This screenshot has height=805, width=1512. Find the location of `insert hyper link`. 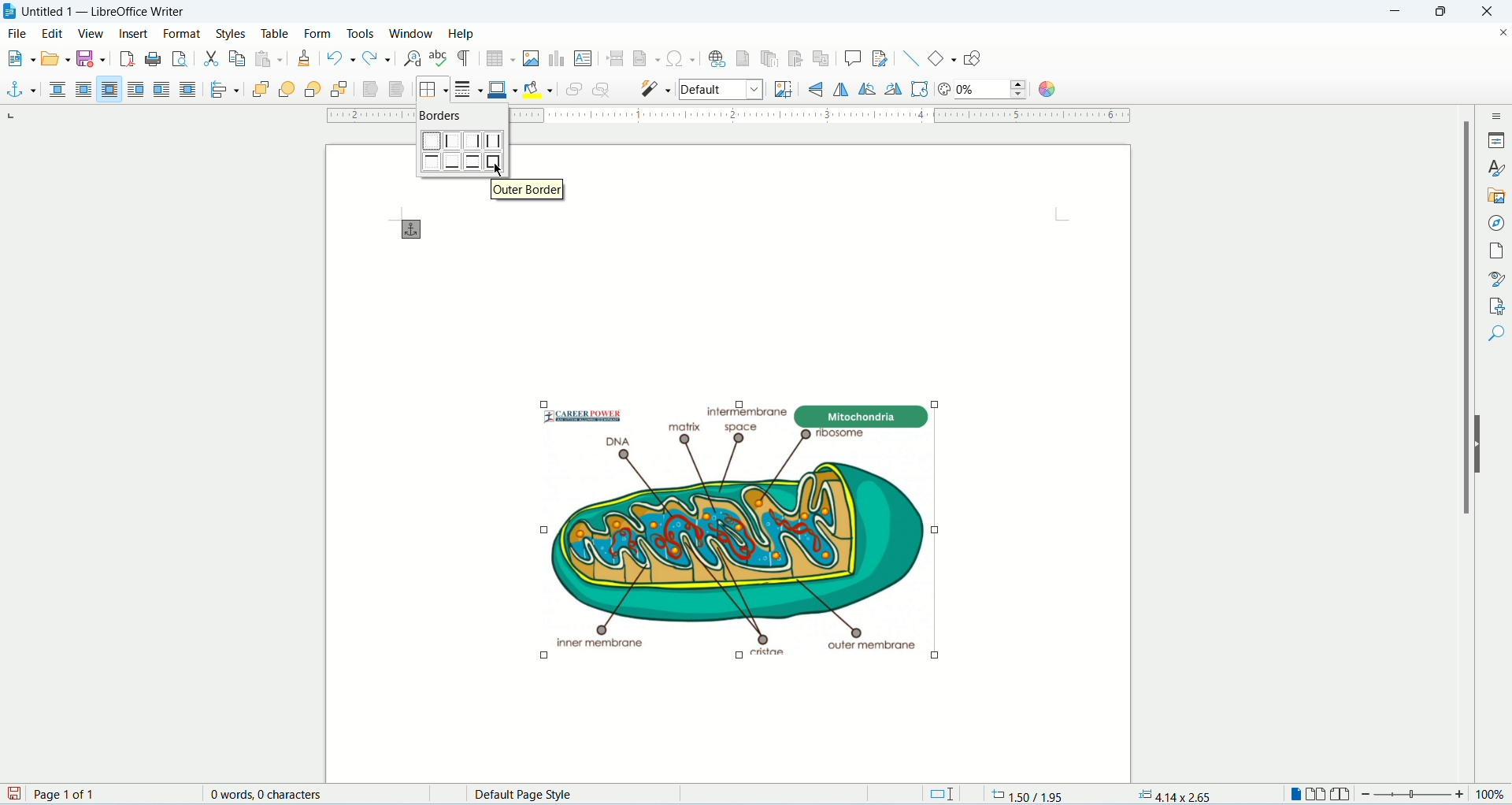

insert hyper link is located at coordinates (717, 58).